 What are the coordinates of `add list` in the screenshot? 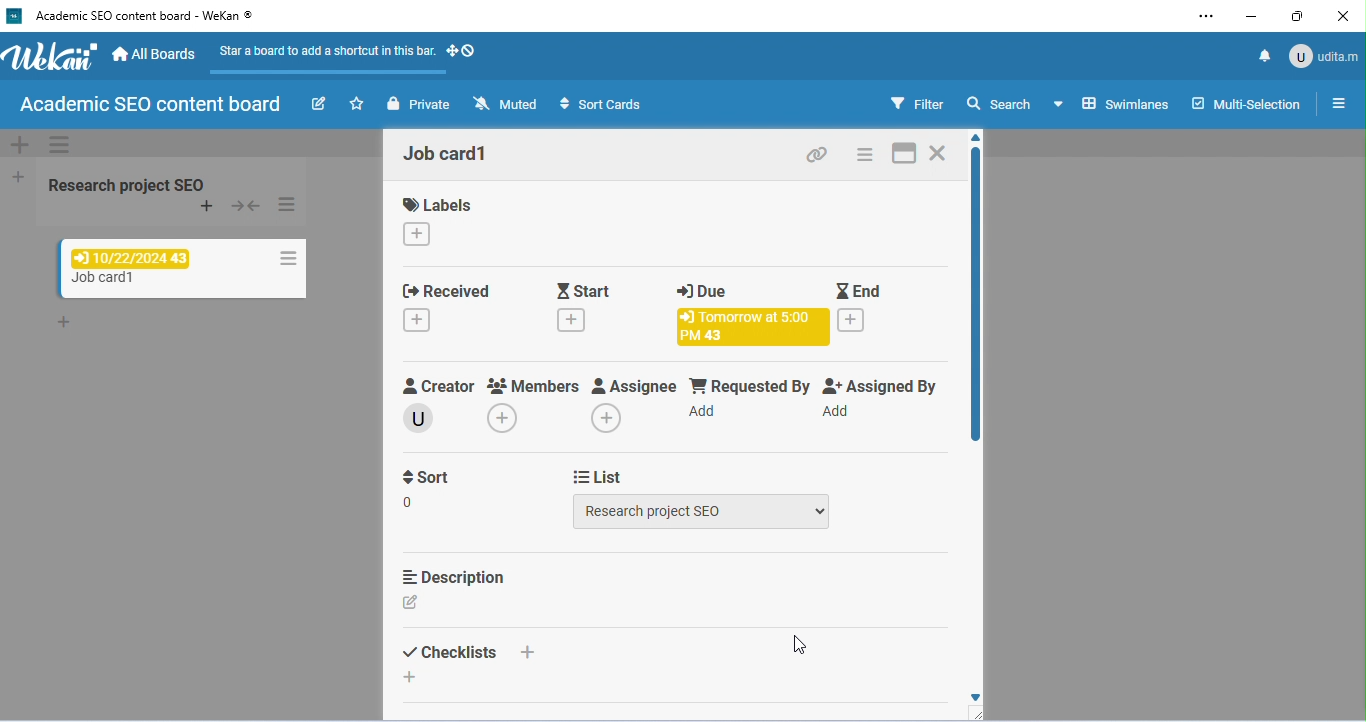 It's located at (20, 178).